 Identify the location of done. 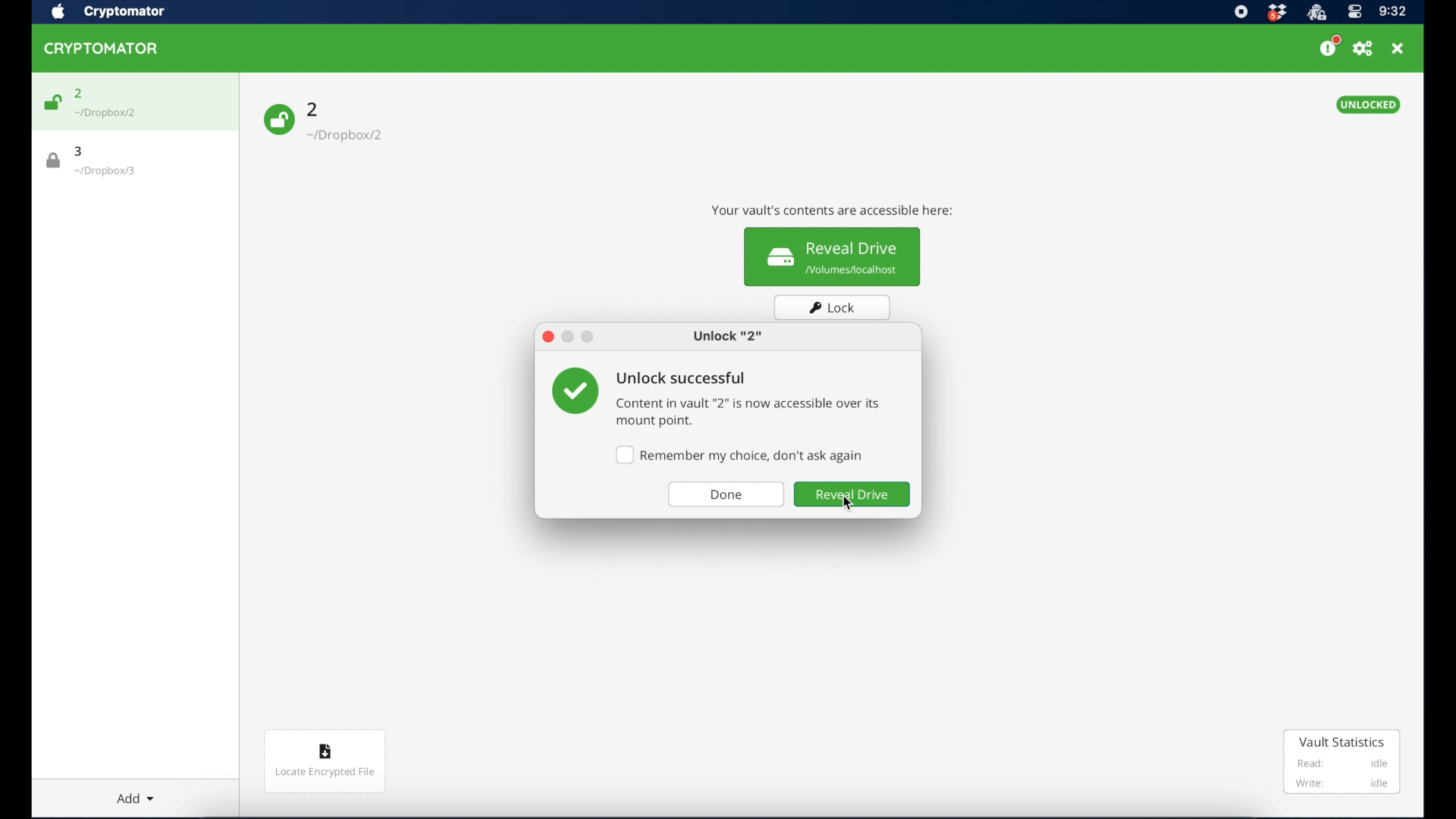
(727, 494).